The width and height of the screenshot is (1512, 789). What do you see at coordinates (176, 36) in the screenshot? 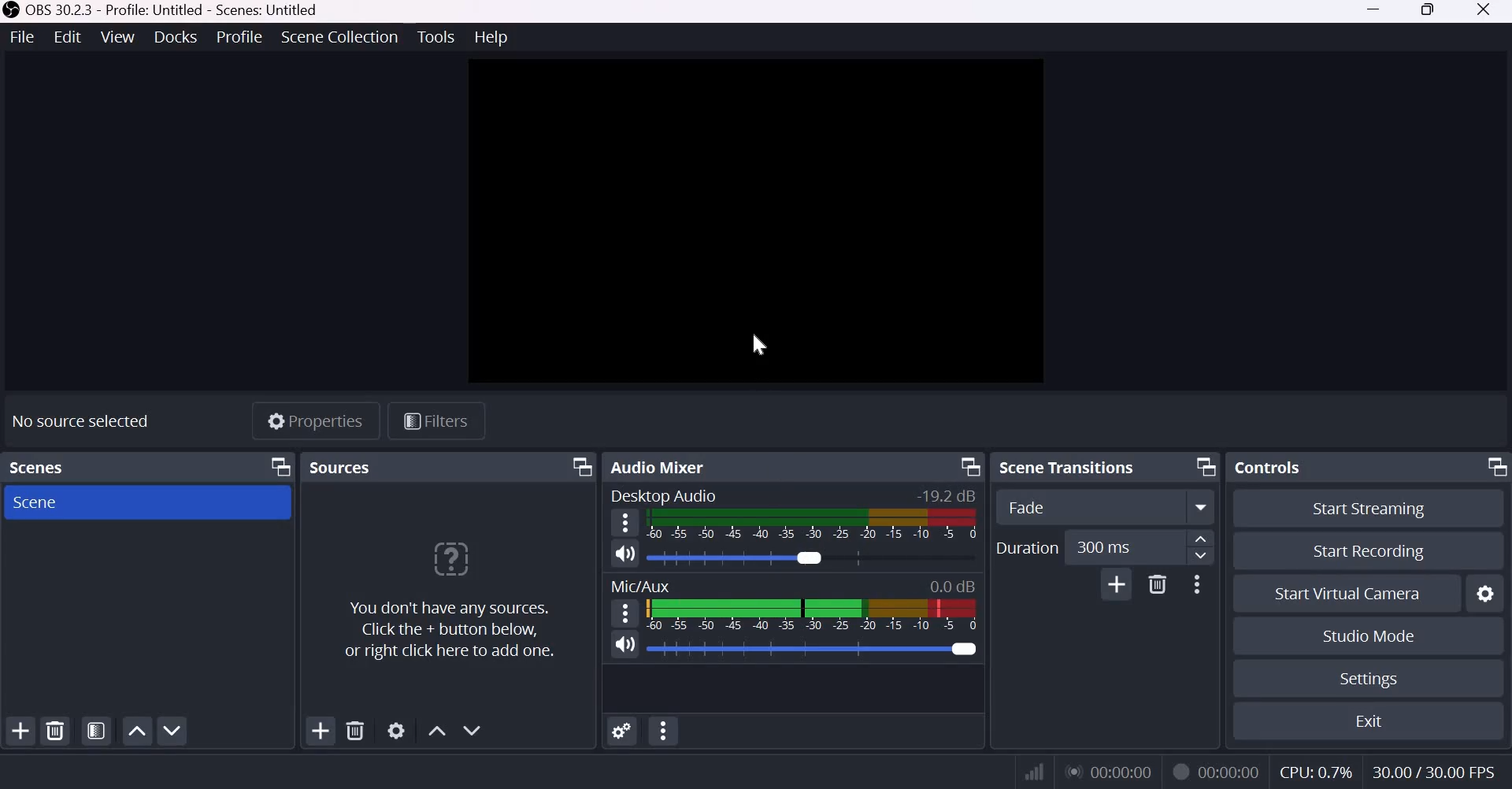
I see `Docks` at bounding box center [176, 36].